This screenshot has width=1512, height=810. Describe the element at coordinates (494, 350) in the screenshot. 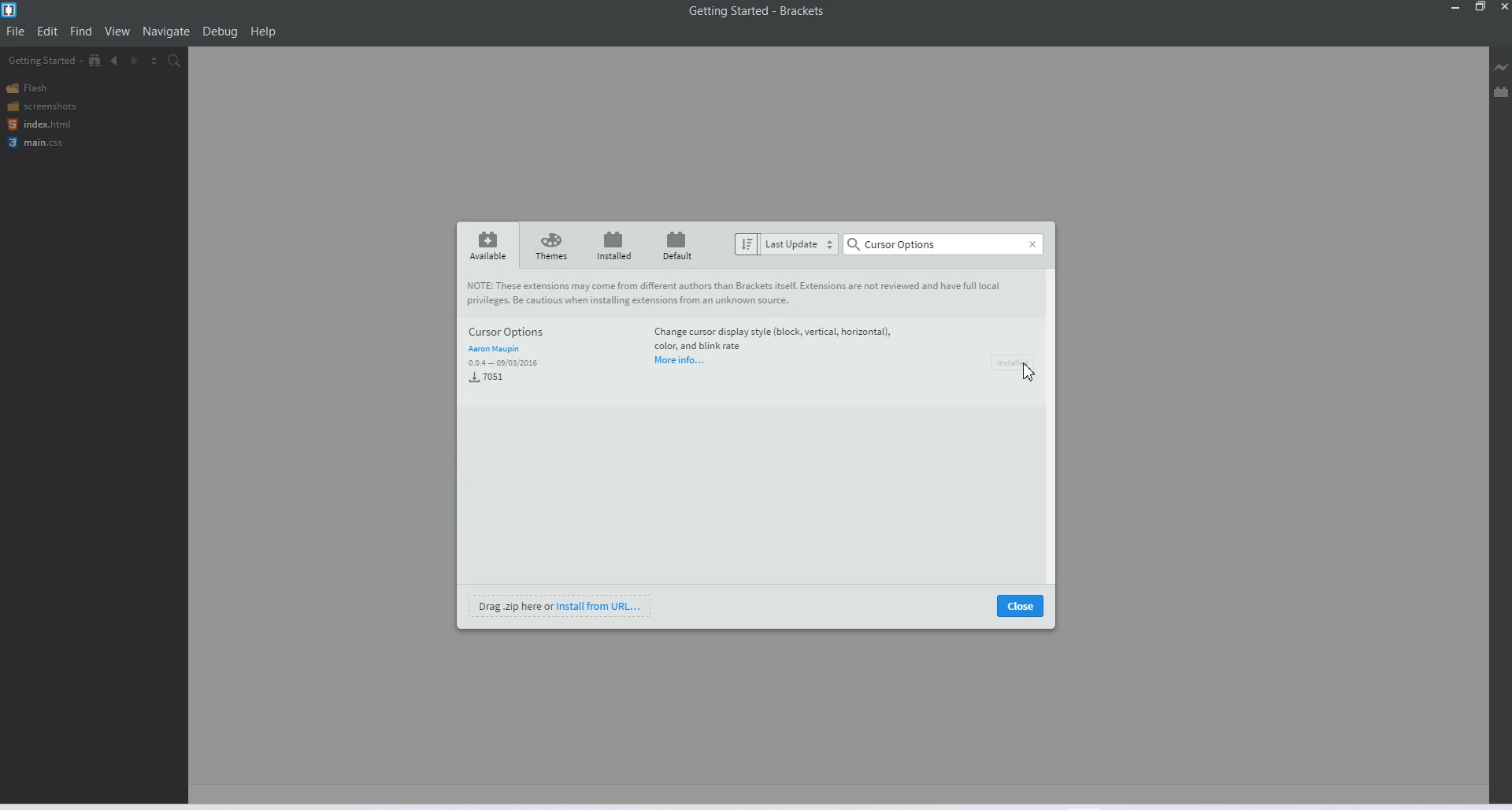

I see `aaron maupin` at that location.